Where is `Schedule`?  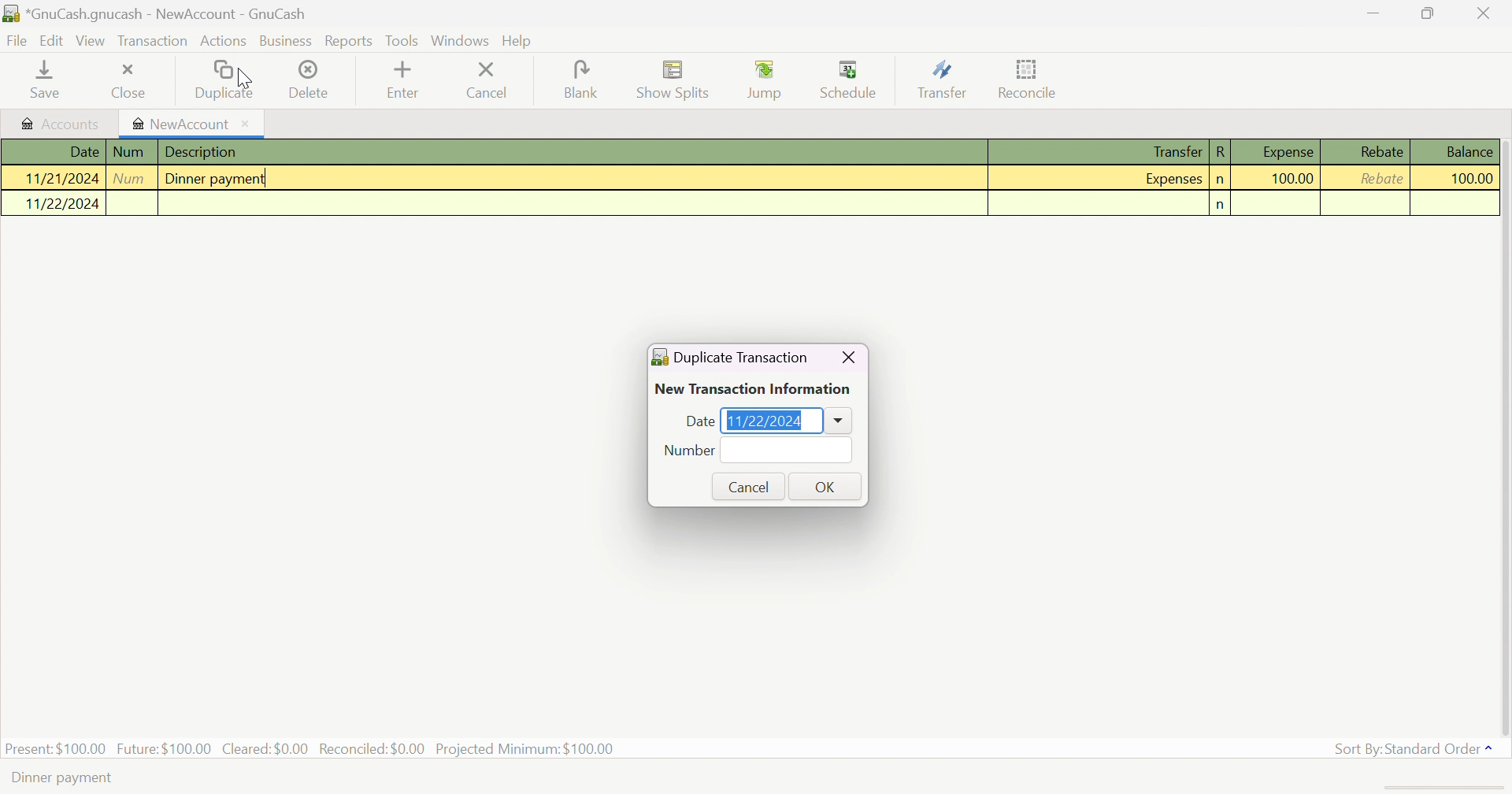 Schedule is located at coordinates (850, 80).